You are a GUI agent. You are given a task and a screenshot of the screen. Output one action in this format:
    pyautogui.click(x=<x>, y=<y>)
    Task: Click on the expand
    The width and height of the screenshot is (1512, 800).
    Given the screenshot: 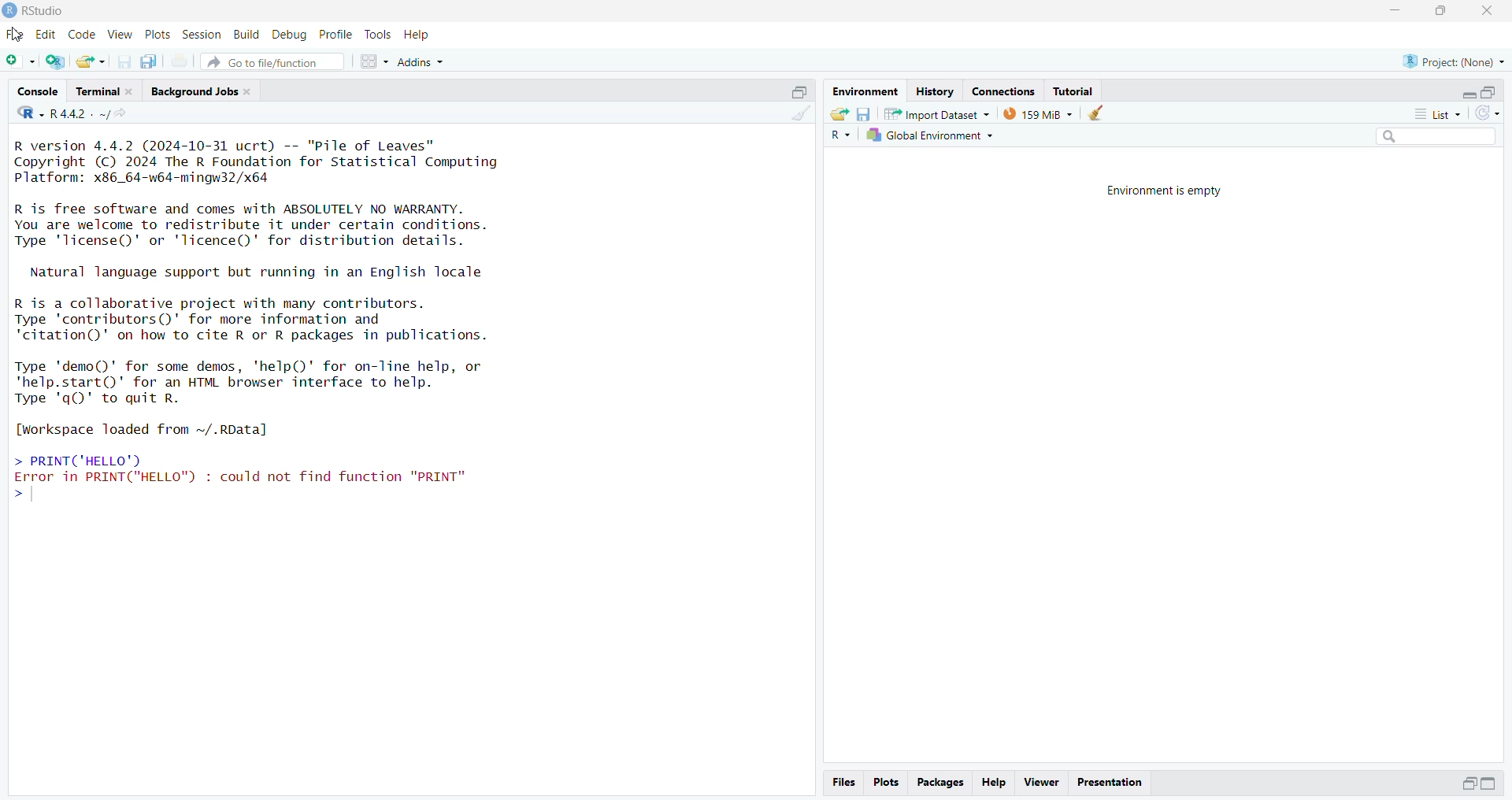 What is the action you would take?
    pyautogui.click(x=1469, y=94)
    